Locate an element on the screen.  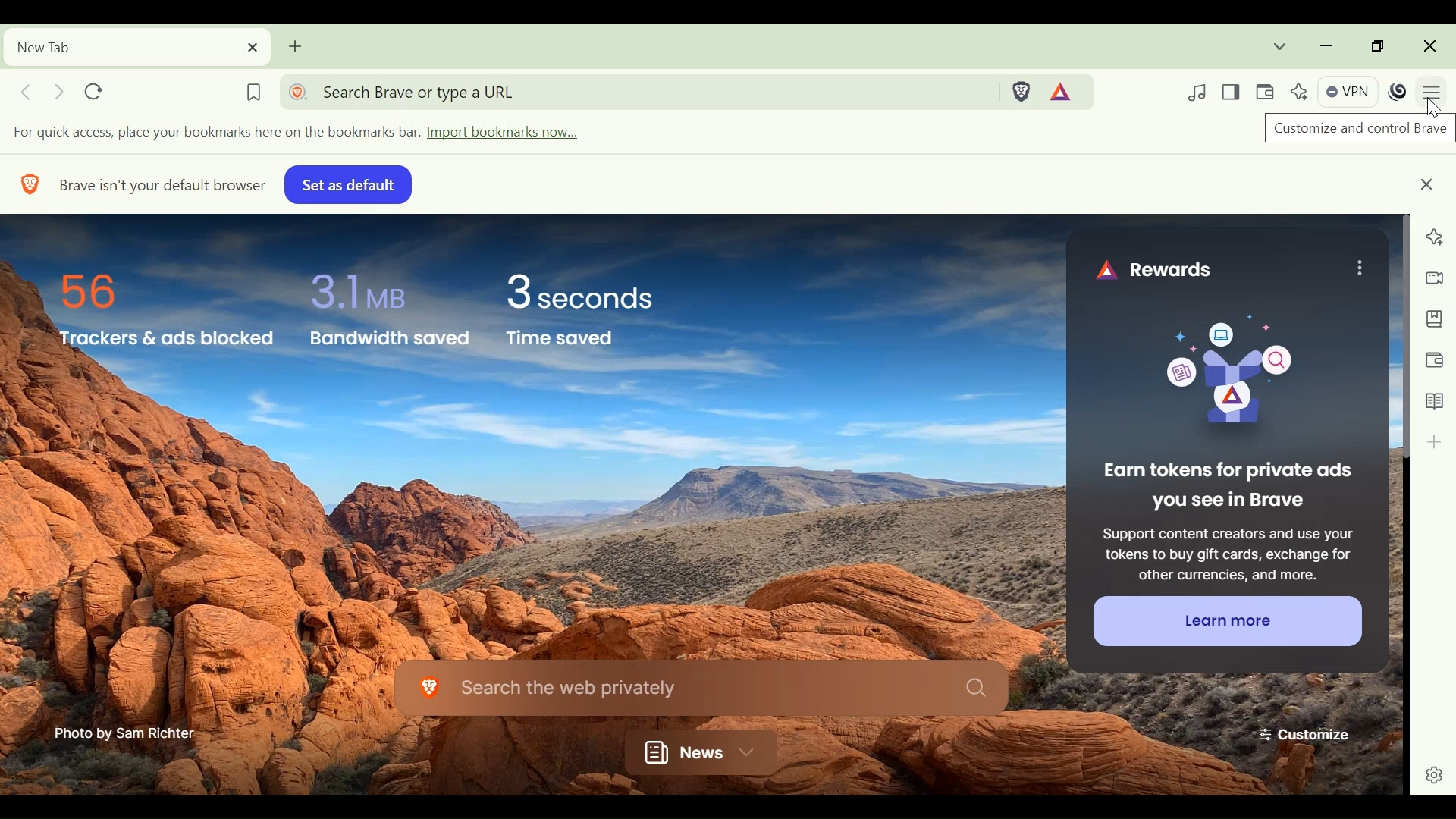
Brave Shield is located at coordinates (1023, 91).